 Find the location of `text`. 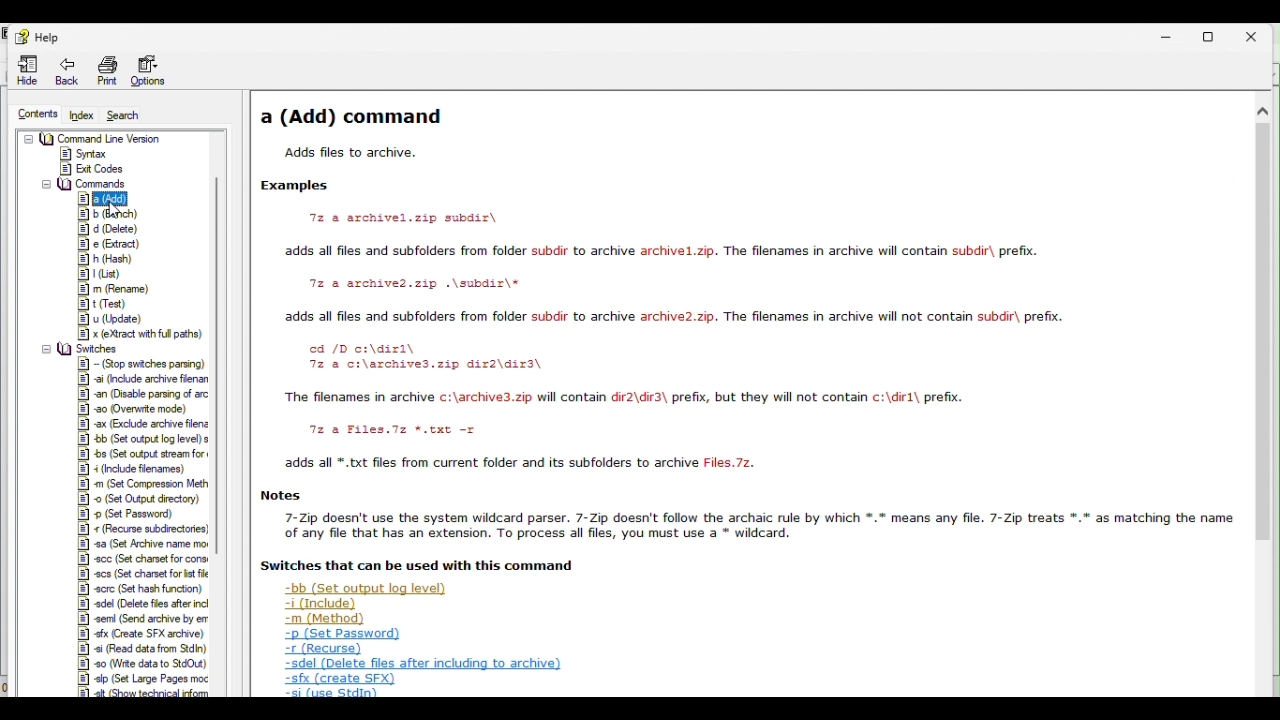

text is located at coordinates (425, 357).